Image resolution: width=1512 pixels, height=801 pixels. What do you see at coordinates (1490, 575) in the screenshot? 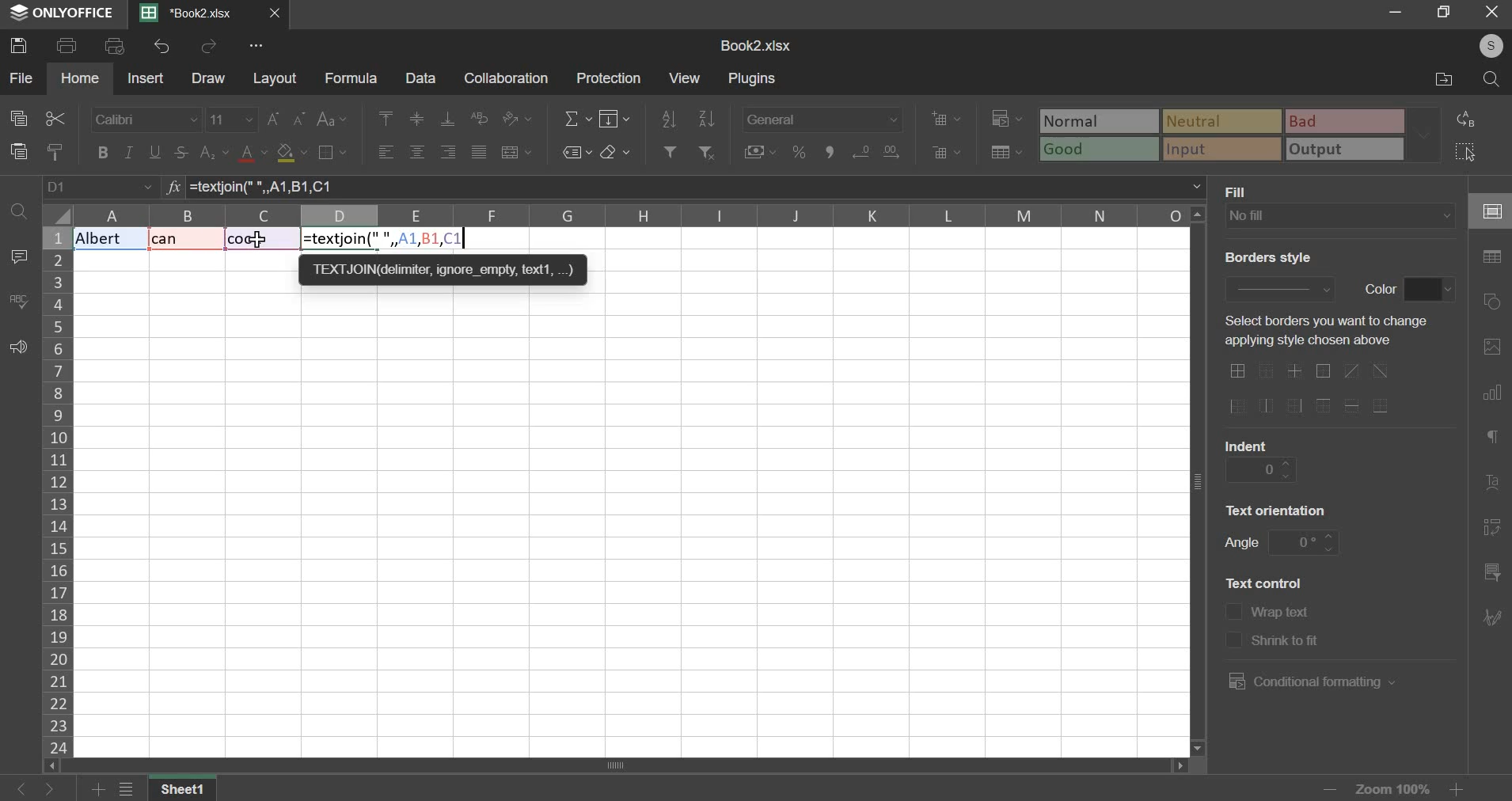
I see `slicer` at bounding box center [1490, 575].